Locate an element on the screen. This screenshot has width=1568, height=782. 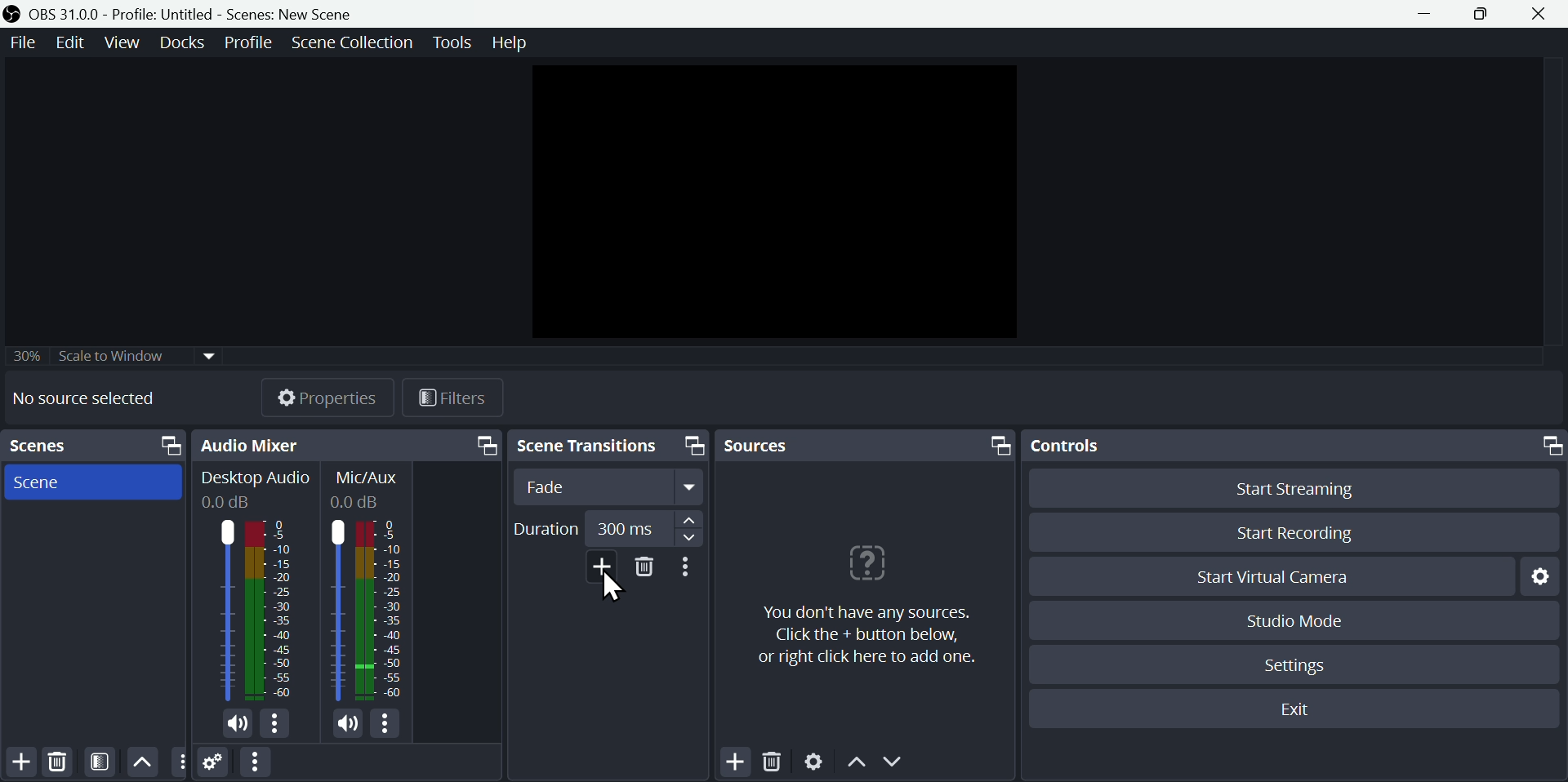
Delete is located at coordinates (777, 762).